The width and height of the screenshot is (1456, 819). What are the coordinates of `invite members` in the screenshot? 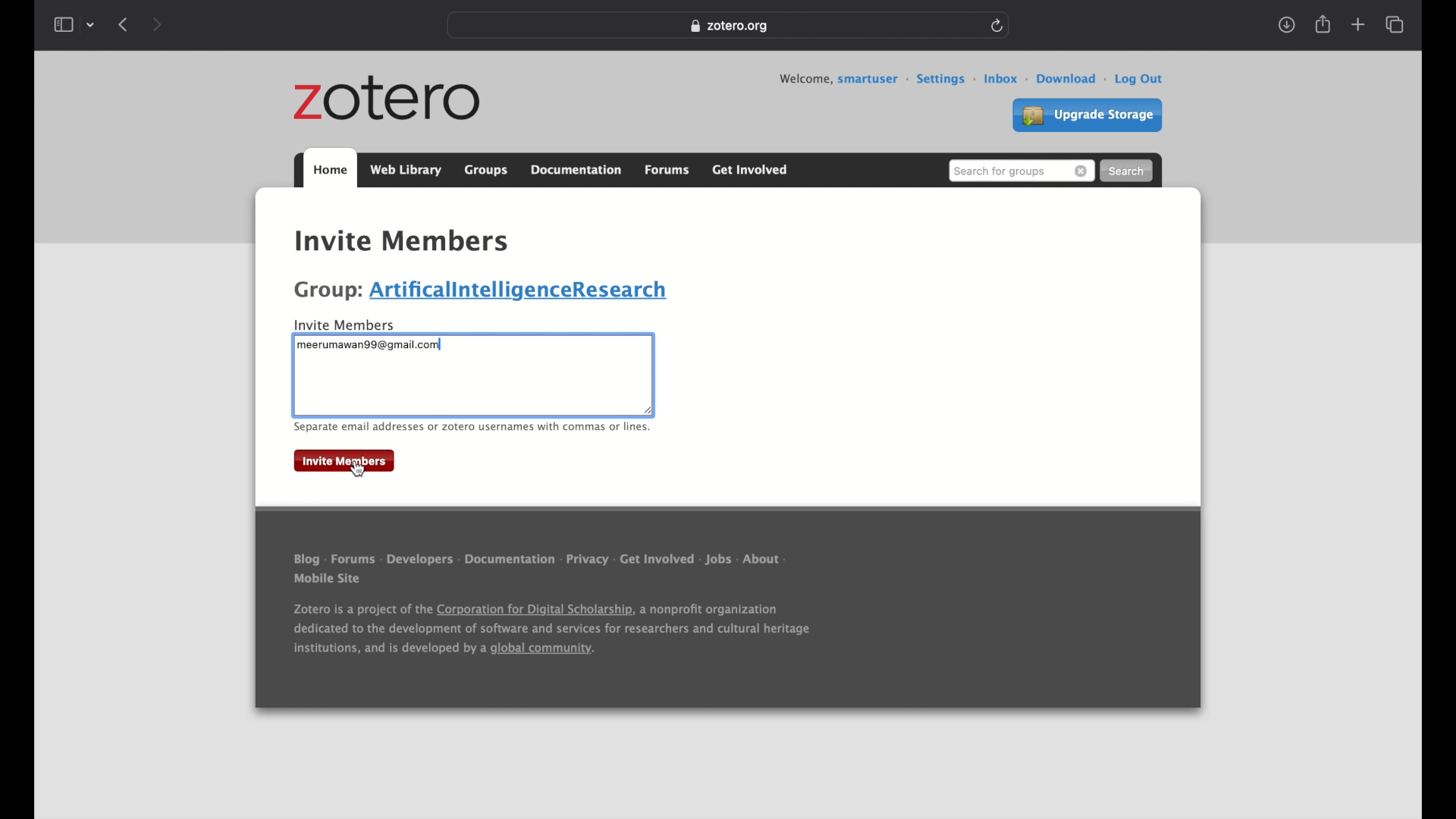 It's located at (403, 243).